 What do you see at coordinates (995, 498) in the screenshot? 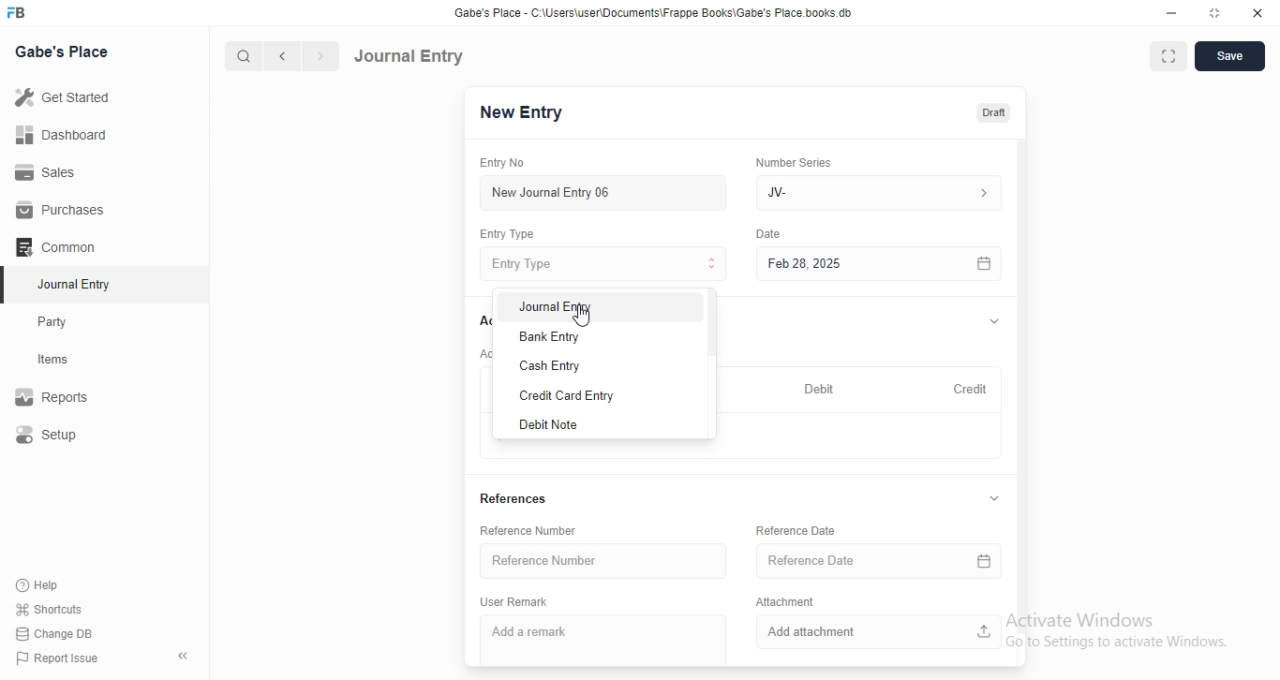
I see `collapse` at bounding box center [995, 498].